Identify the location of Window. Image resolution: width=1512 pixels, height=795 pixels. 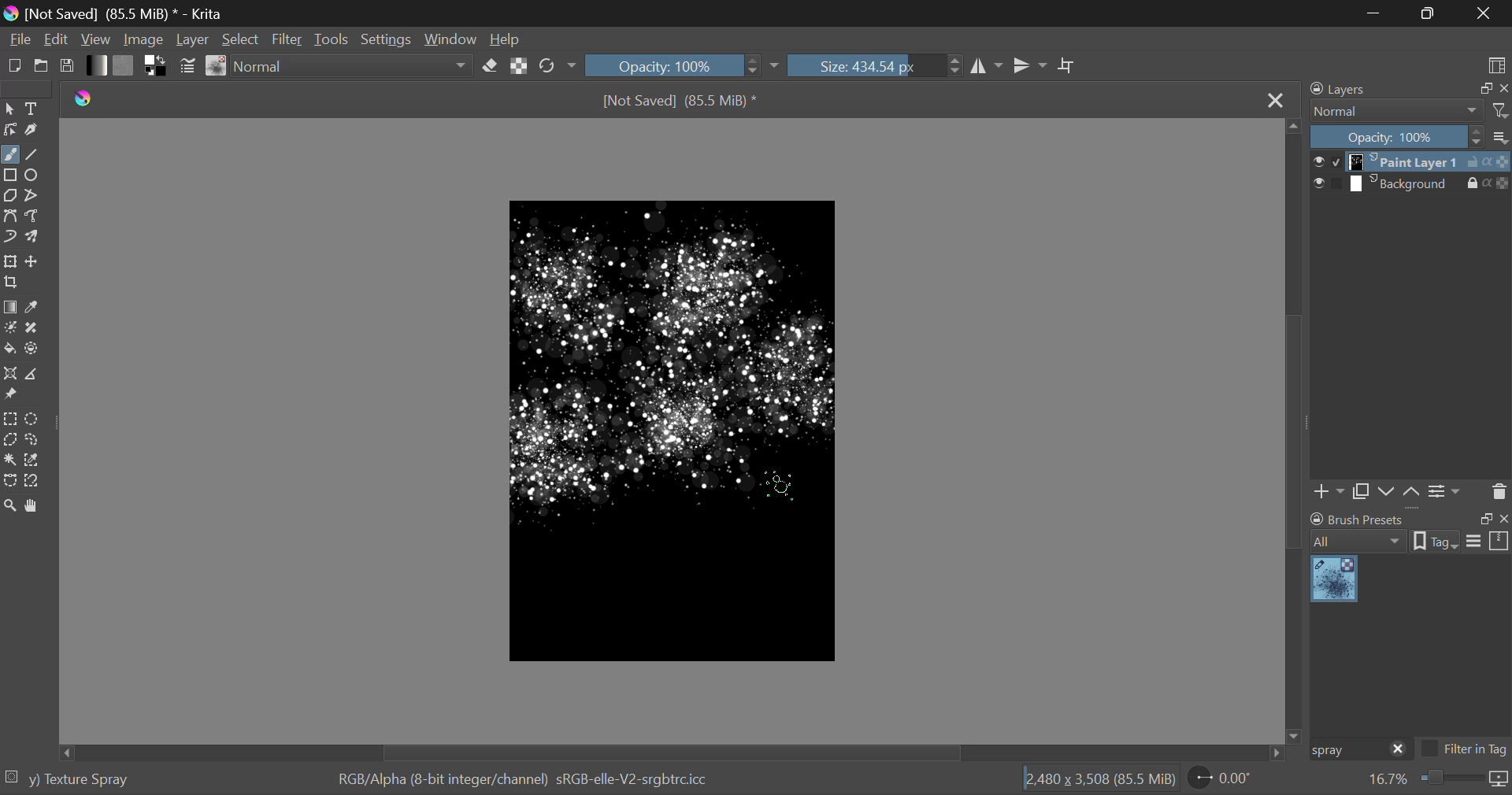
(453, 38).